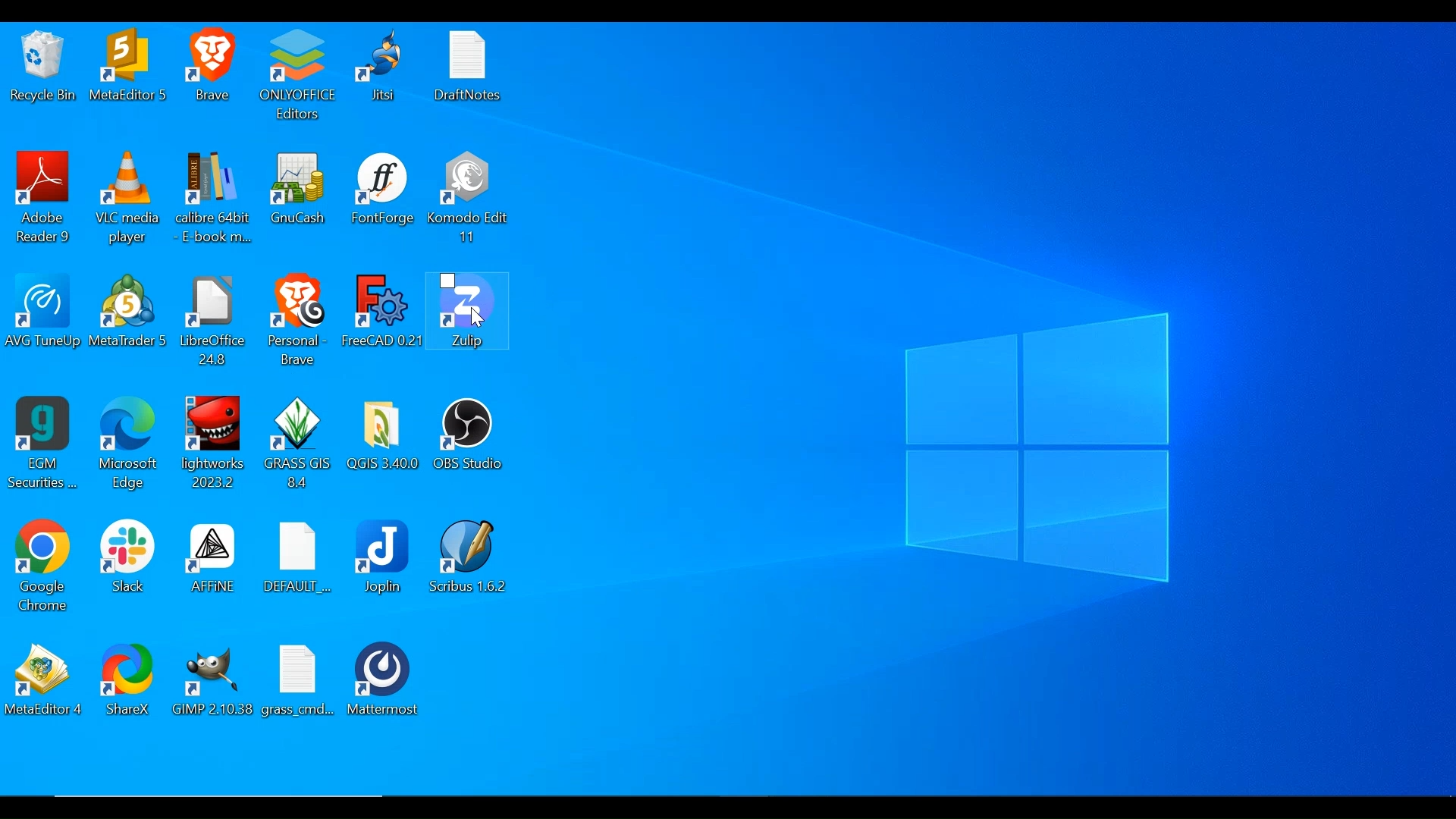  I want to click on Komodo Edit Desktop Icon, so click(470, 198).